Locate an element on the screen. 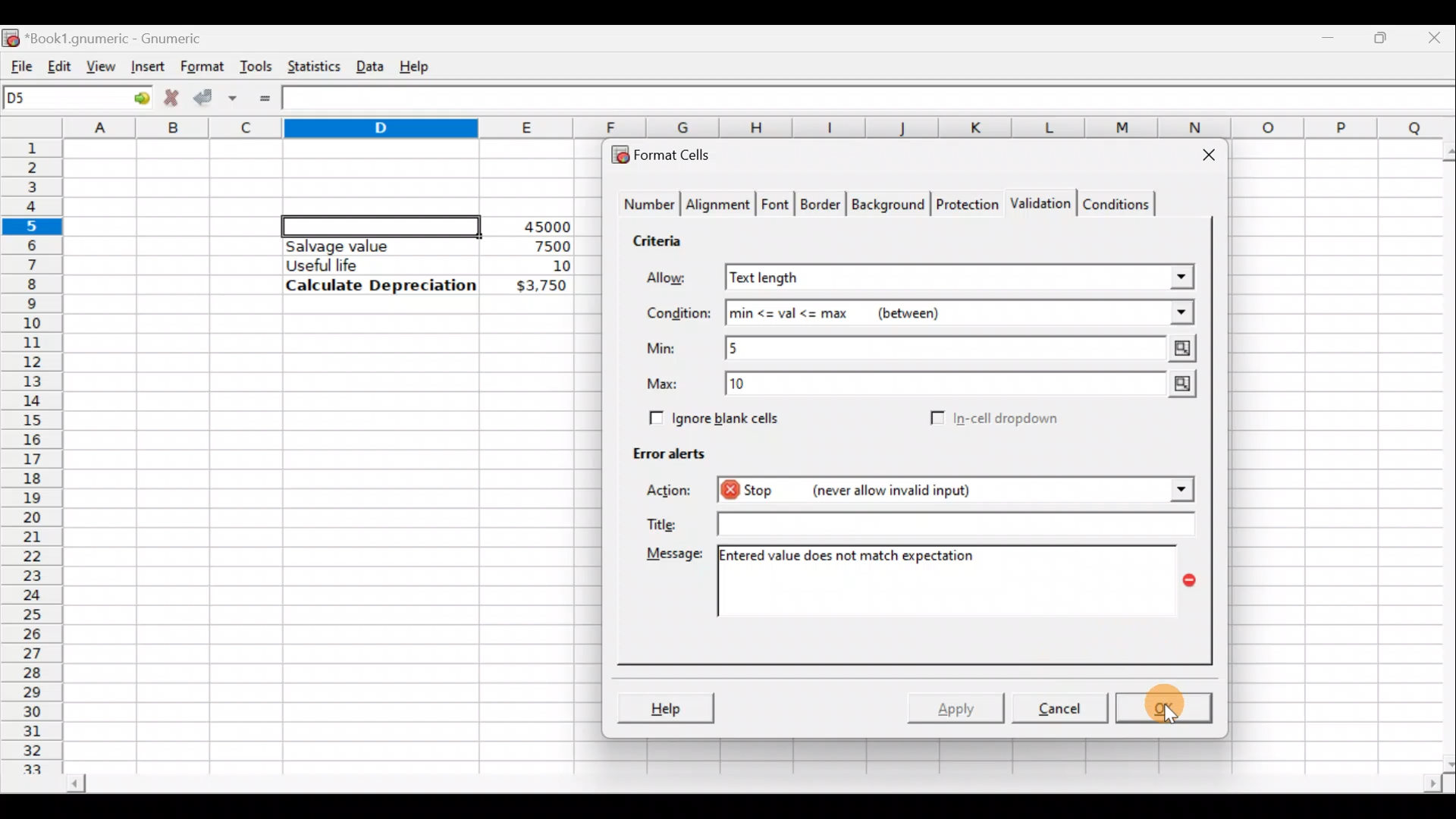  Edit is located at coordinates (59, 63).